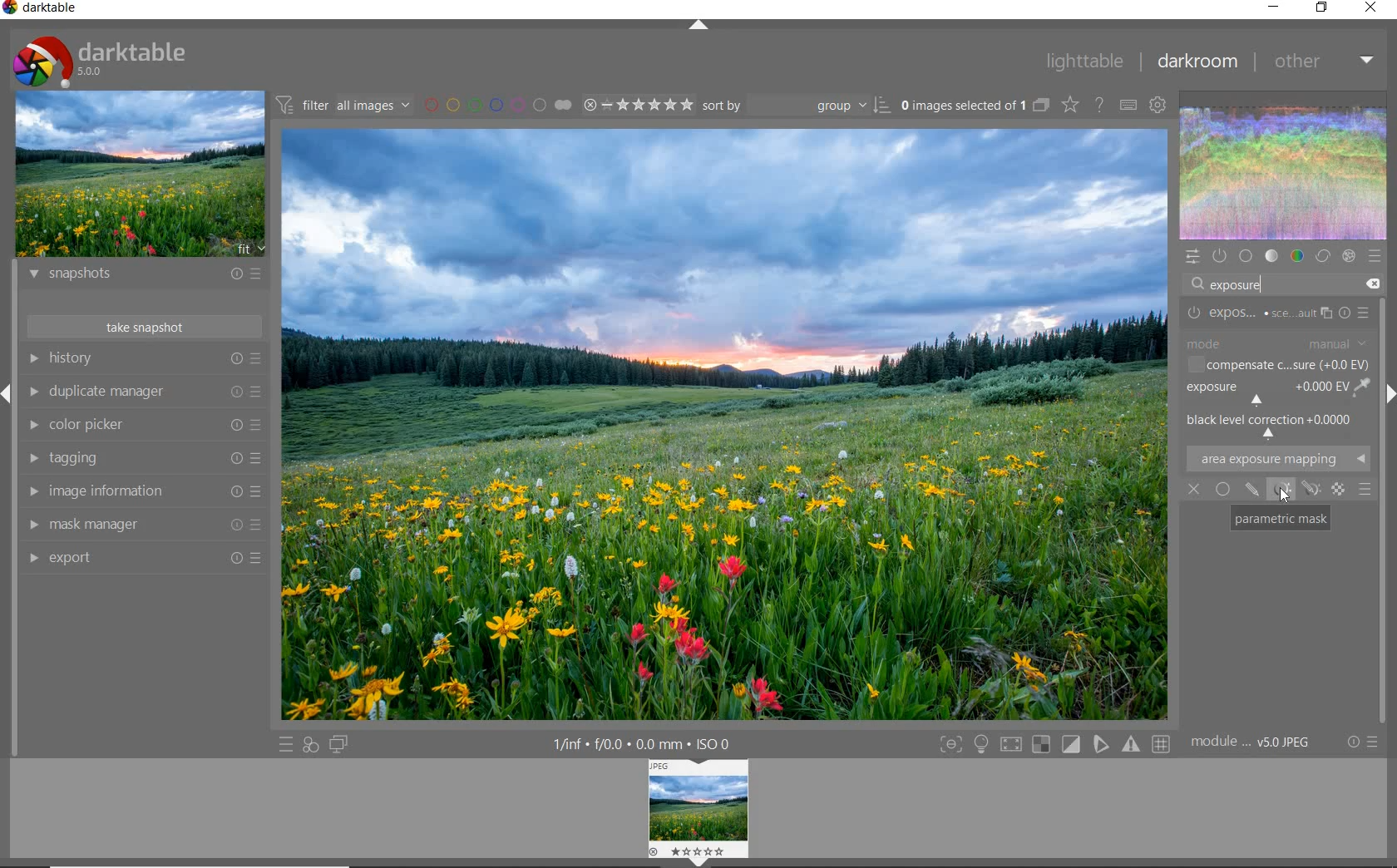 This screenshot has height=868, width=1397. I want to click on snapshots, so click(146, 277).